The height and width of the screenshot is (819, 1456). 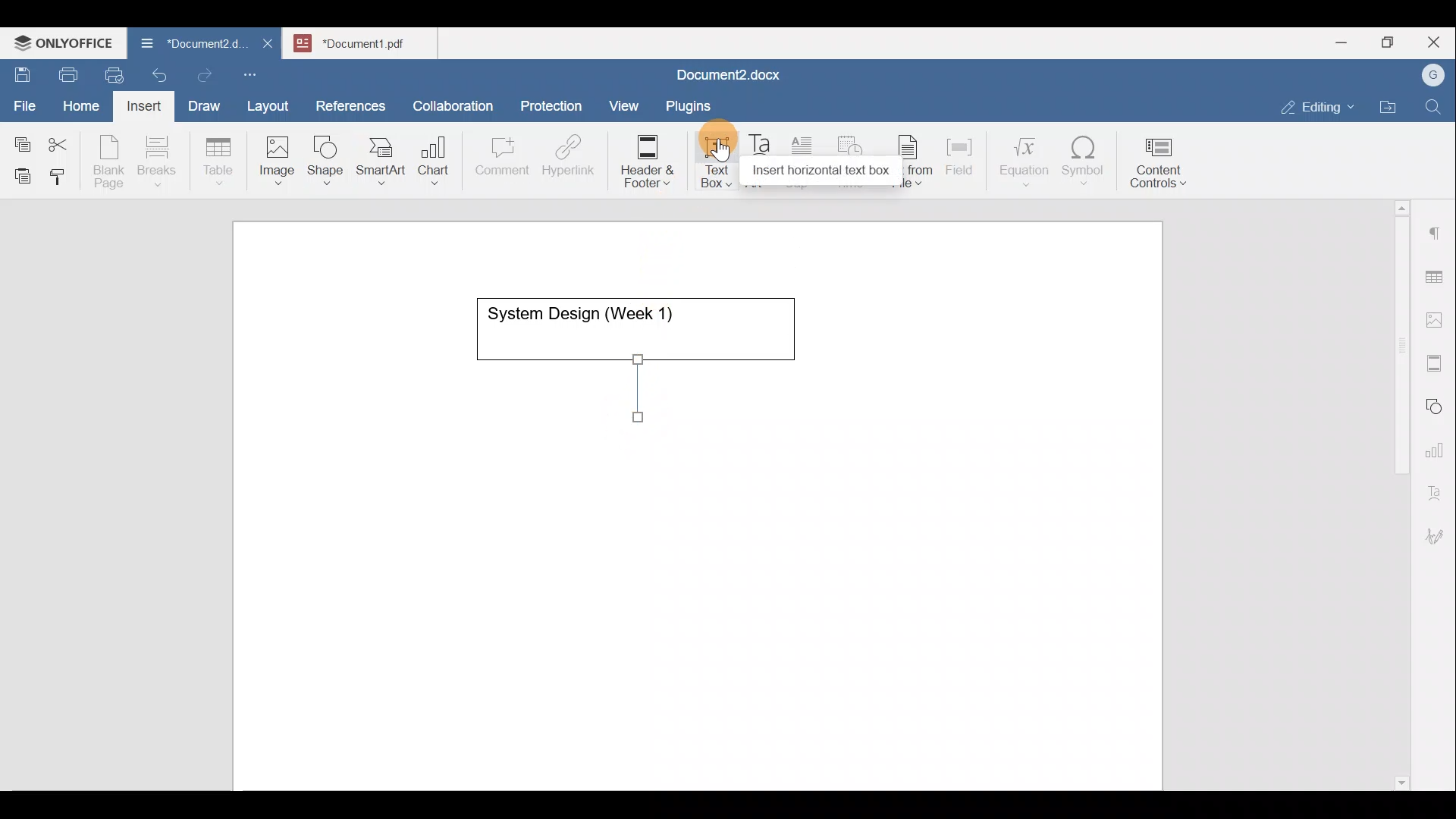 I want to click on Shape, so click(x=327, y=153).